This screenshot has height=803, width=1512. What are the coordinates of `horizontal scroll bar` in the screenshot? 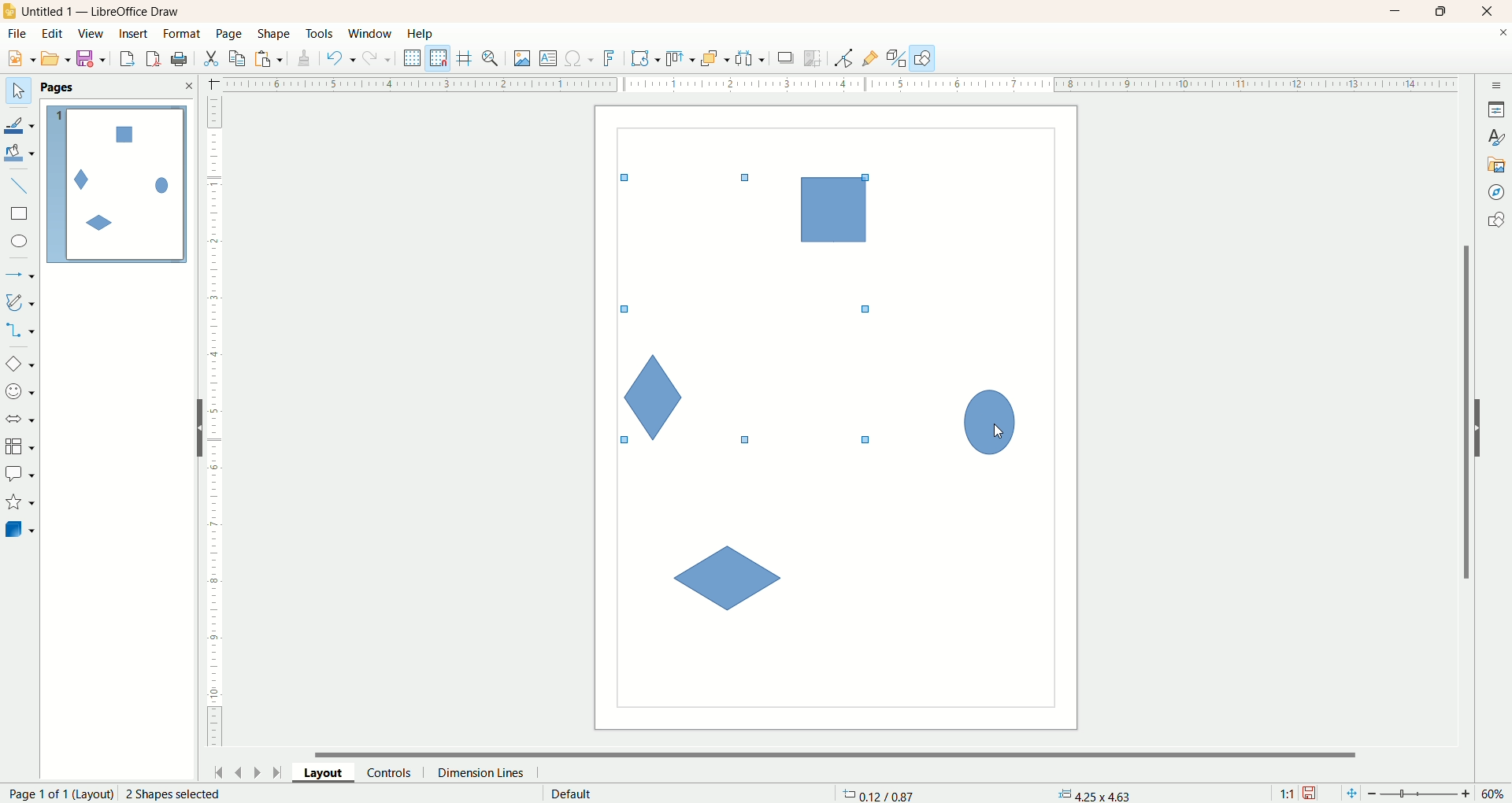 It's located at (845, 753).